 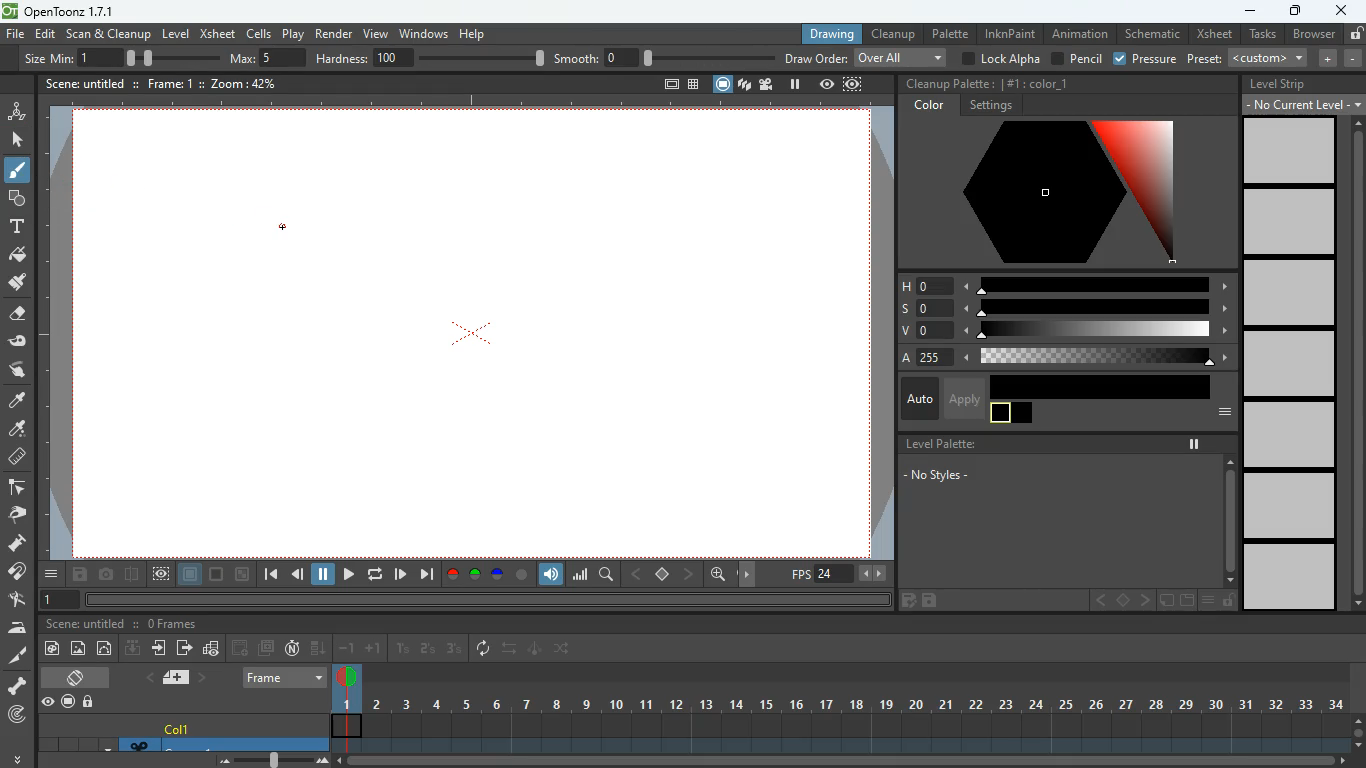 What do you see at coordinates (906, 602) in the screenshot?
I see `edit` at bounding box center [906, 602].